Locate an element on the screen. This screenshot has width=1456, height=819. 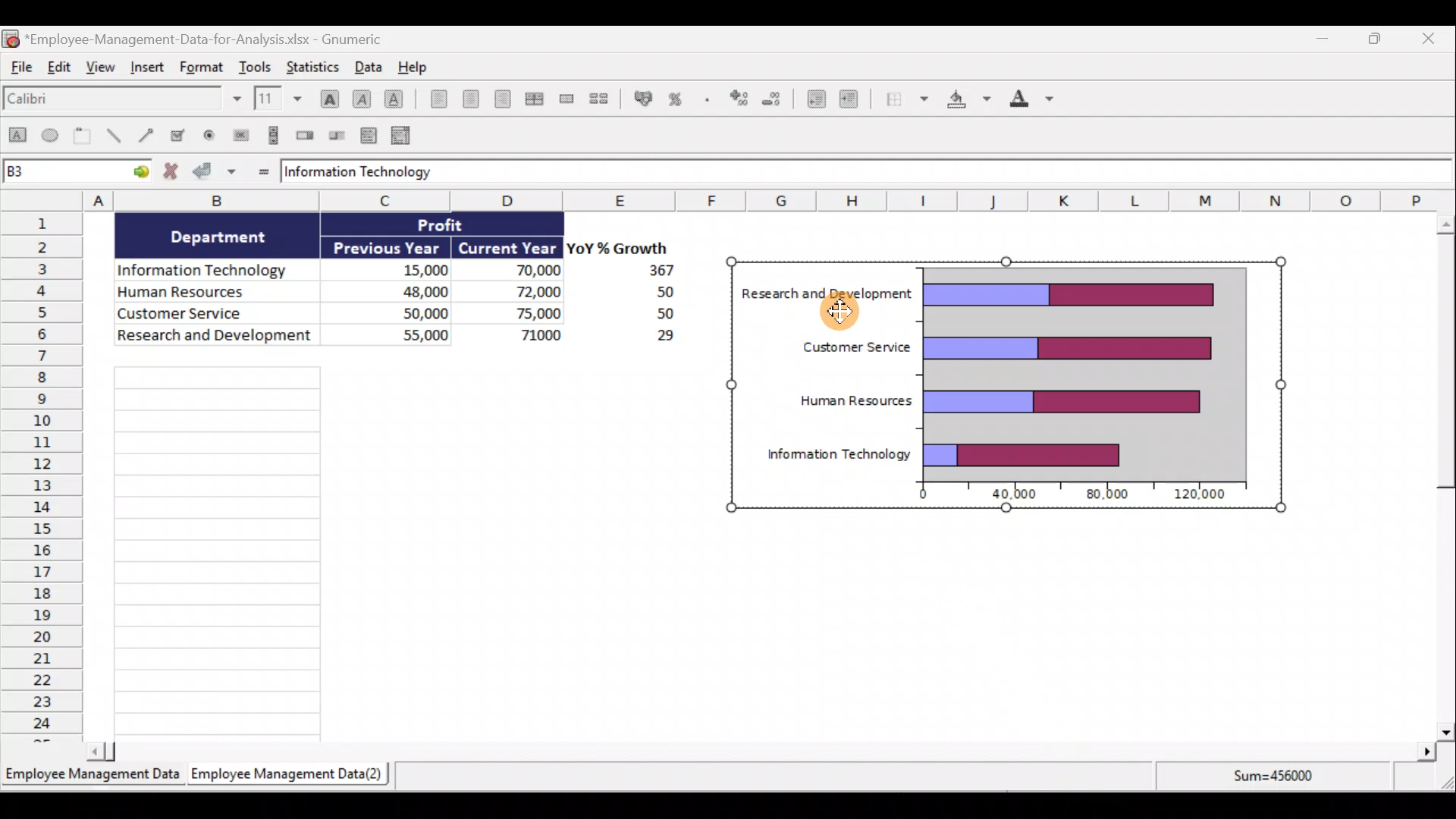
Cell name B3 is located at coordinates (61, 173).